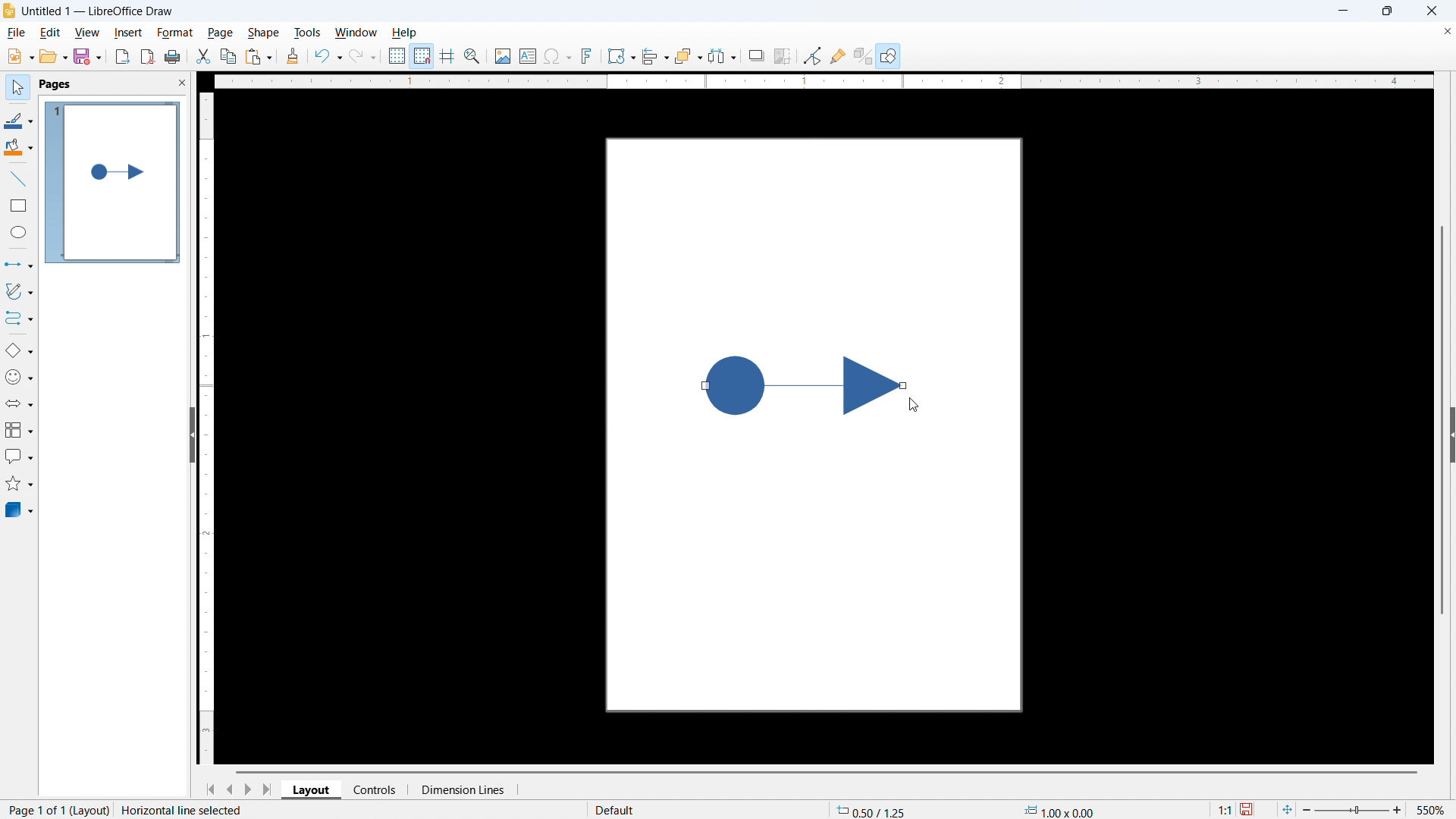 This screenshot has height=819, width=1456. What do you see at coordinates (863, 55) in the screenshot?
I see `Toggle extrusion ` at bounding box center [863, 55].